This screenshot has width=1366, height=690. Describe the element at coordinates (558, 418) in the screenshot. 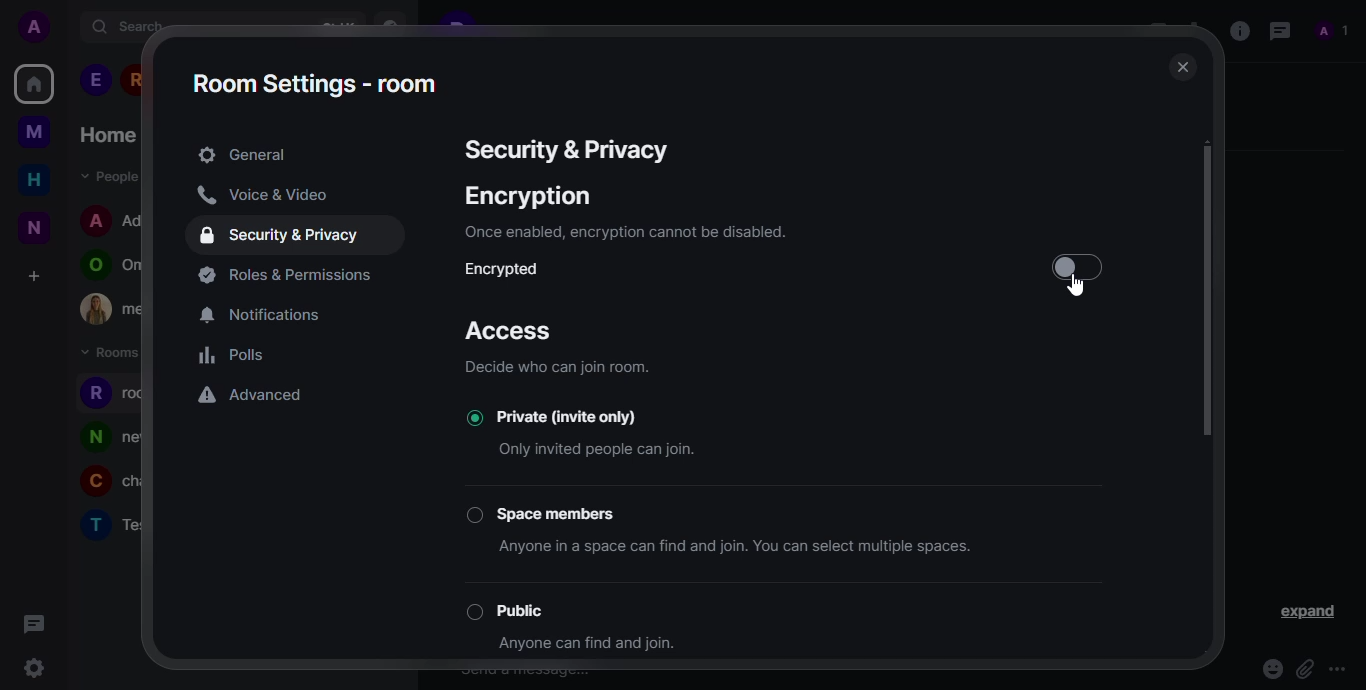

I see `private (Invite only) button` at that location.